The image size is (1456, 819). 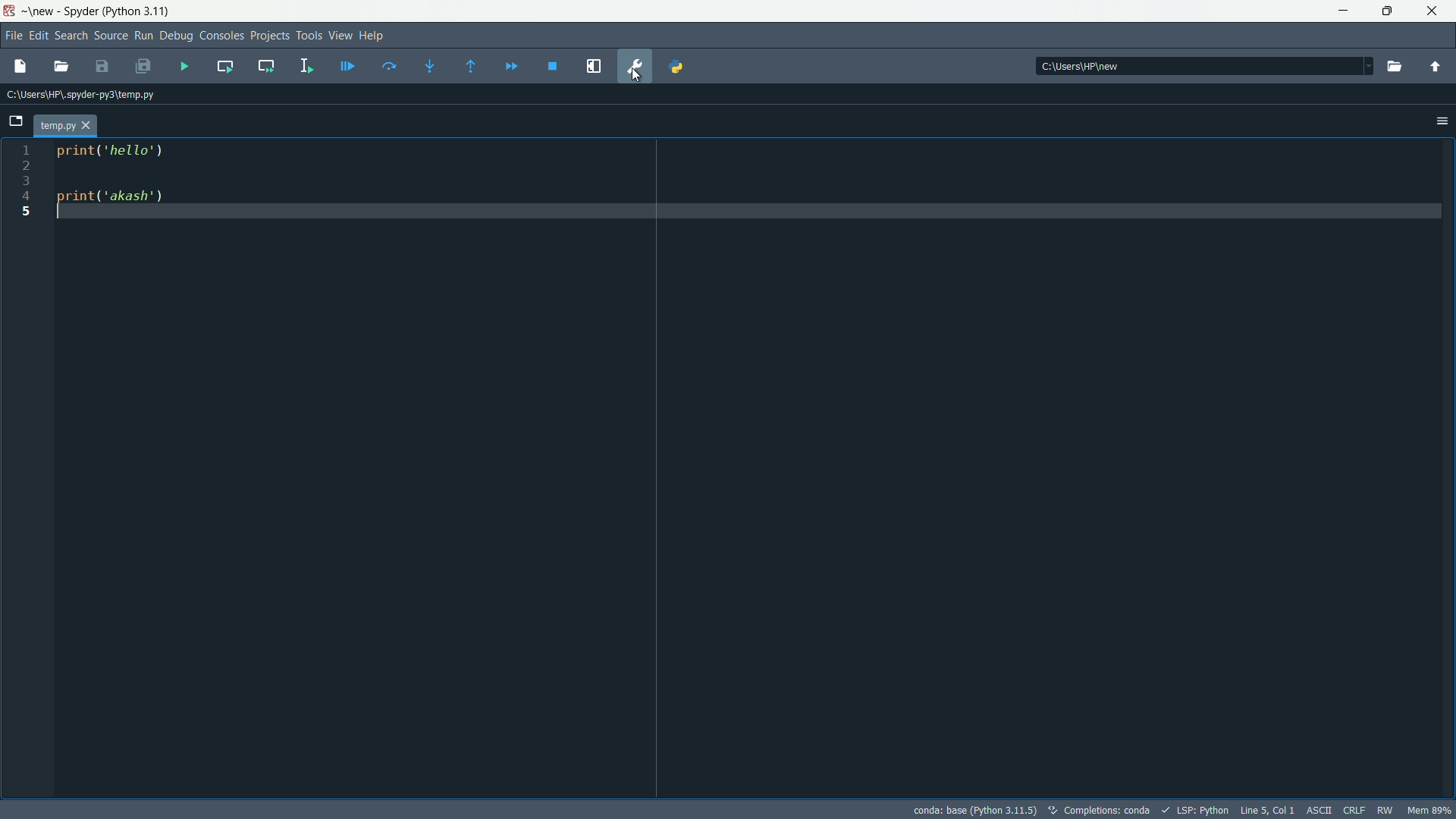 I want to click on step into function, so click(x=430, y=67).